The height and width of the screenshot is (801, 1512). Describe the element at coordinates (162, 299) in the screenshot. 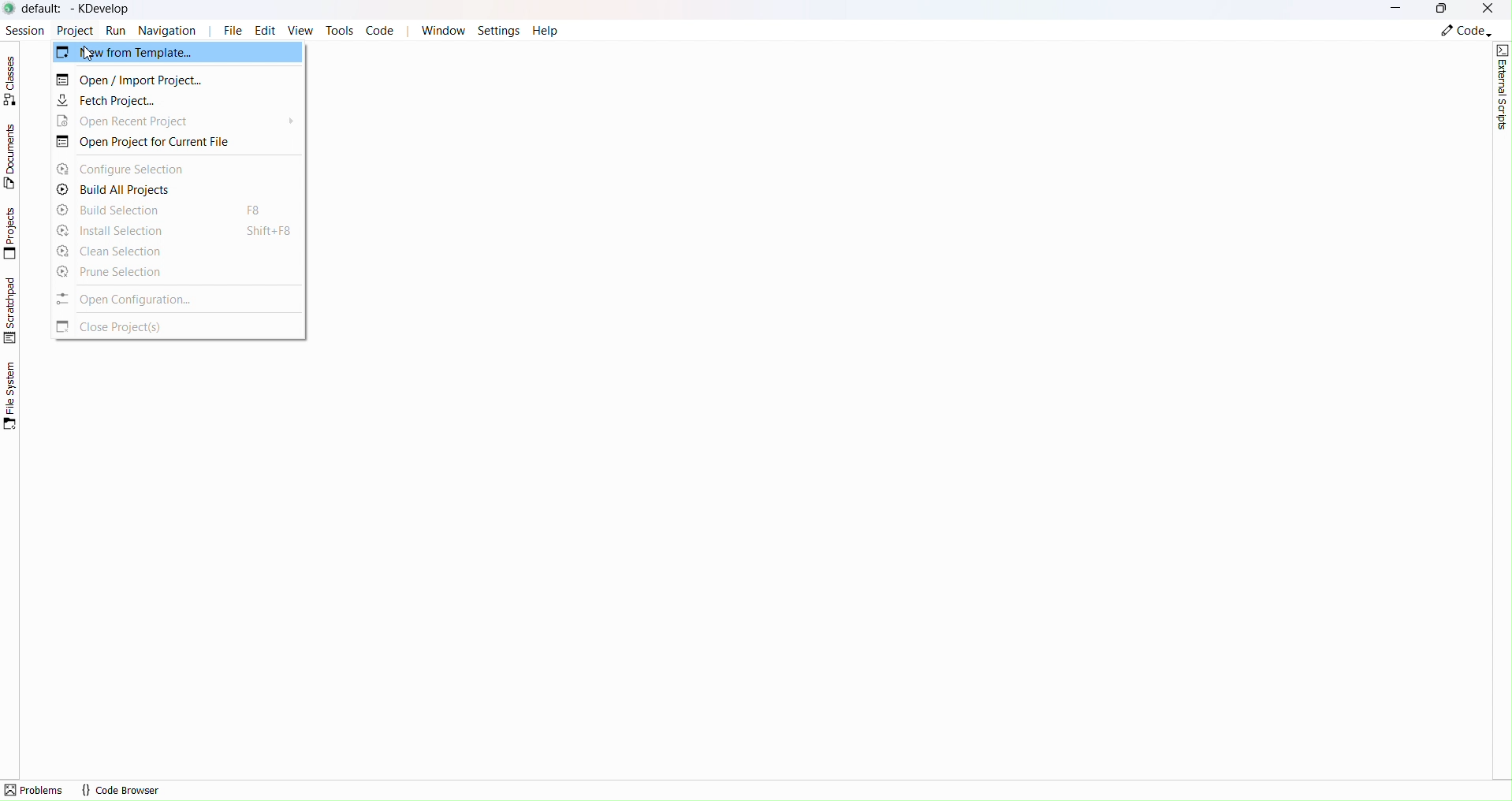

I see `Open Configurator` at that location.